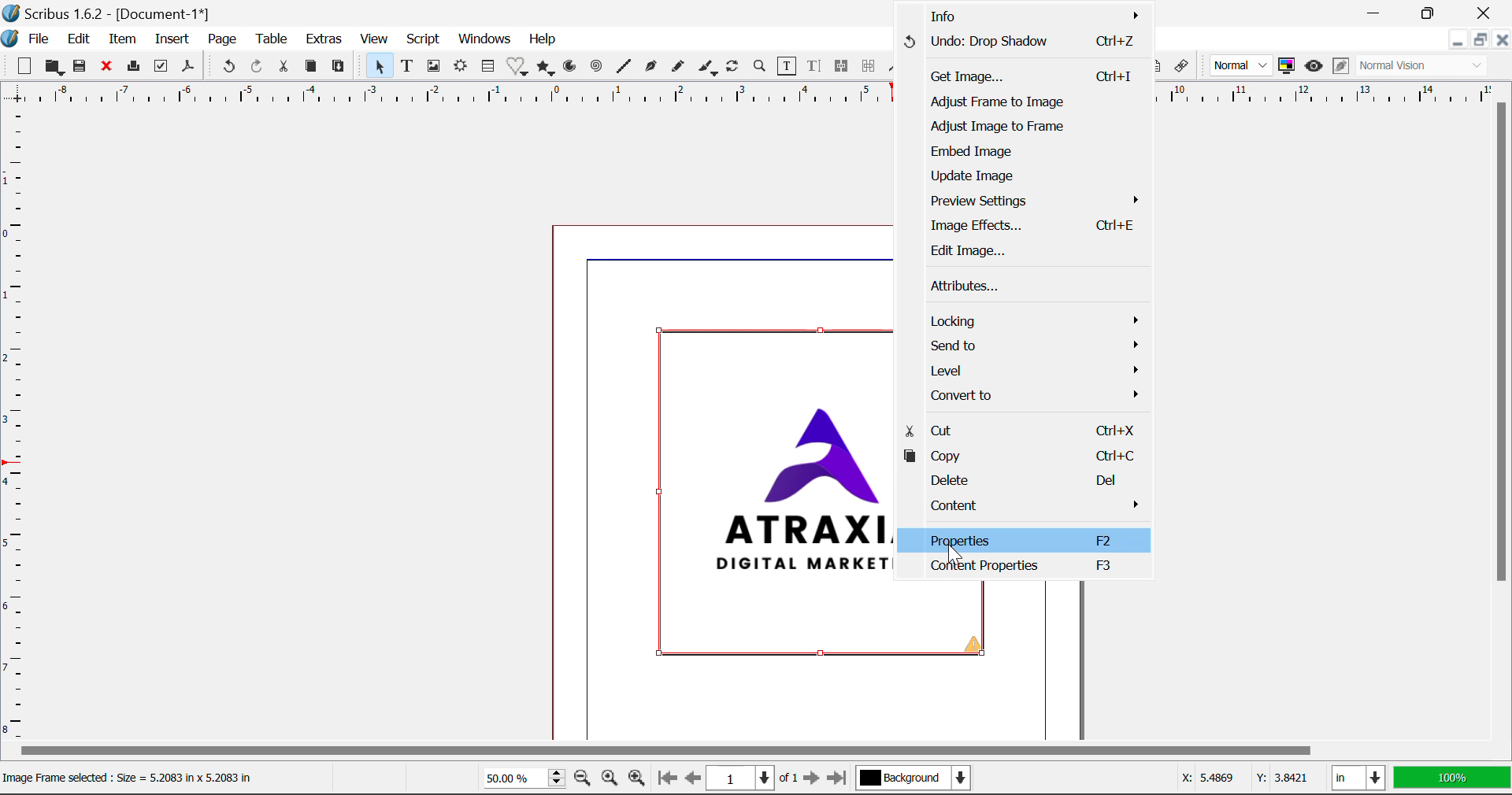 Image resolution: width=1512 pixels, height=795 pixels. Describe the element at coordinates (840, 775) in the screenshot. I see `Last page` at that location.